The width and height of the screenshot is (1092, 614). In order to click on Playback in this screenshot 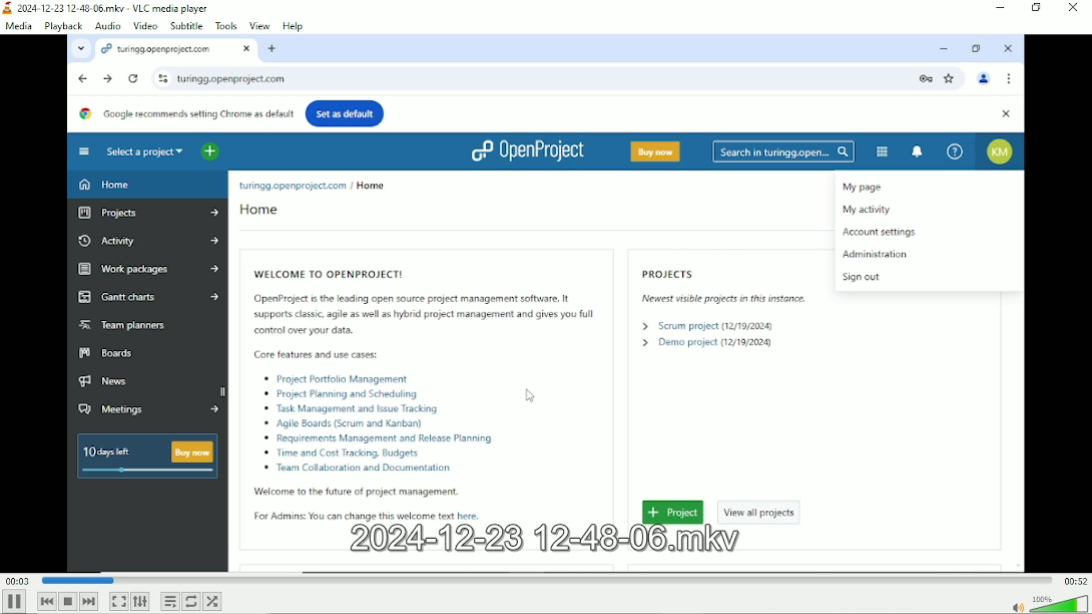, I will do `click(62, 26)`.